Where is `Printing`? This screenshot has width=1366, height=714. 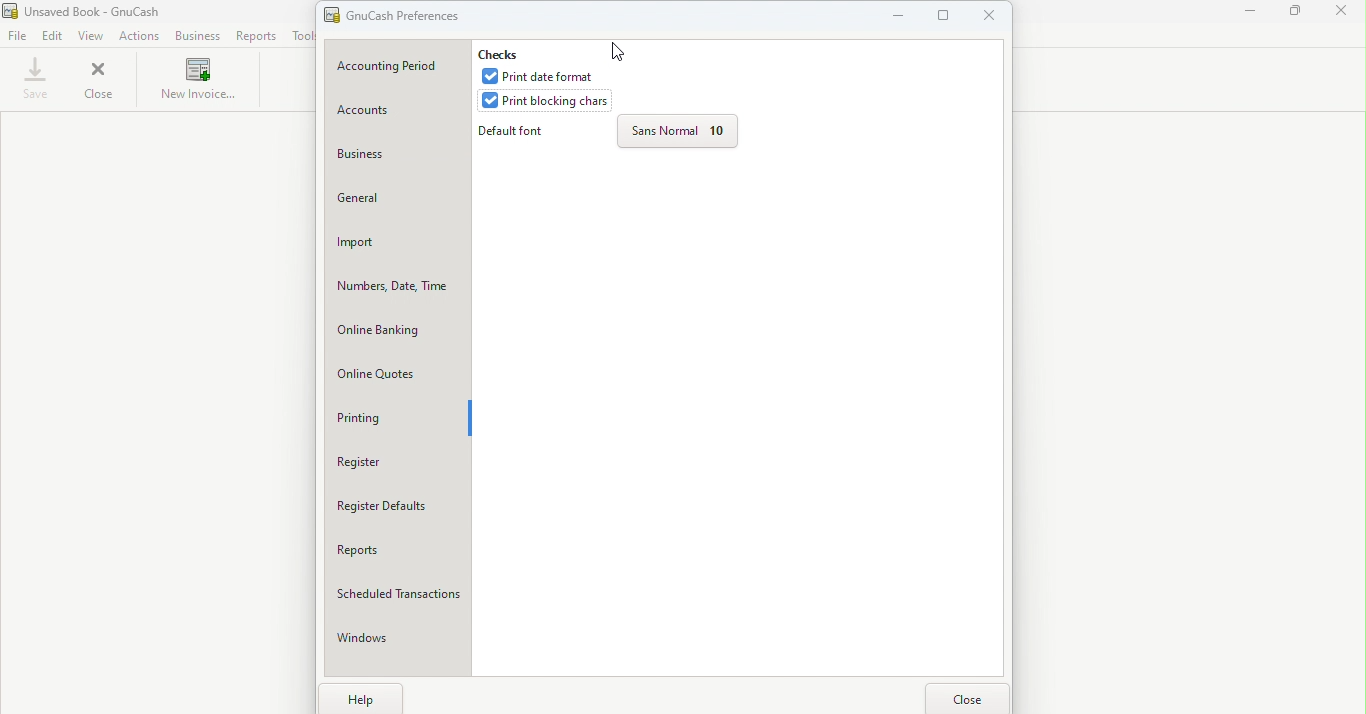
Printing is located at coordinates (395, 418).